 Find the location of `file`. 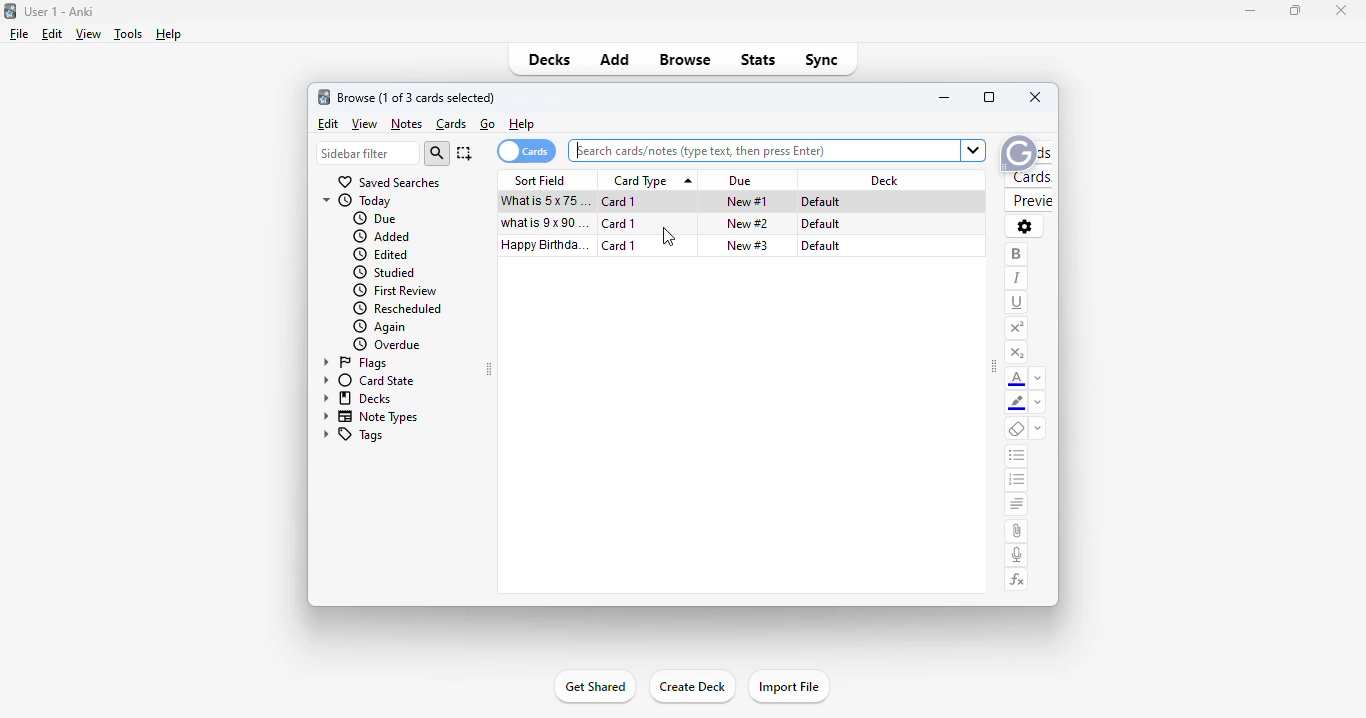

file is located at coordinates (19, 34).